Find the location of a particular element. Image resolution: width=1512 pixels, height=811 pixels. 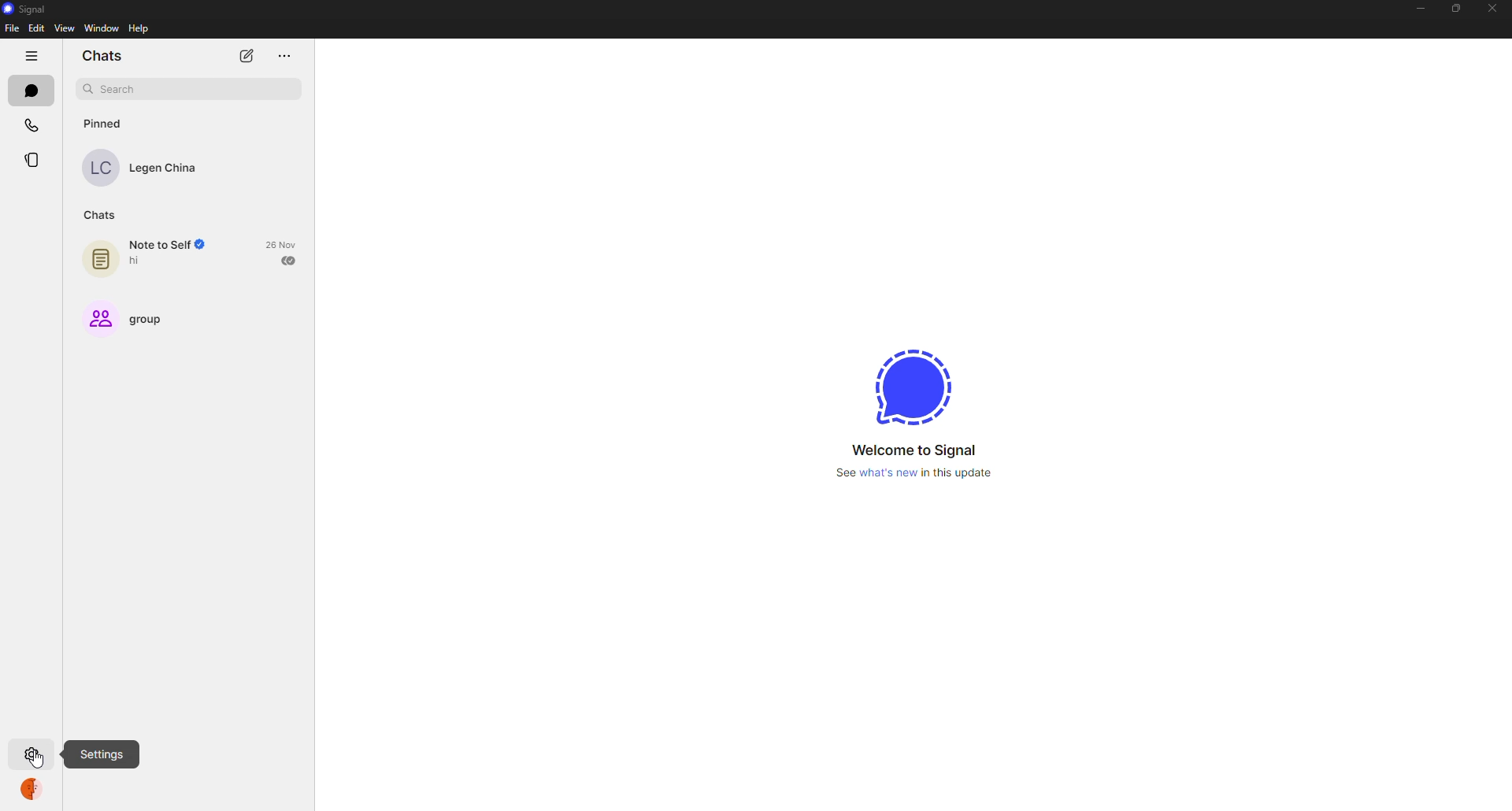

more is located at coordinates (287, 55).